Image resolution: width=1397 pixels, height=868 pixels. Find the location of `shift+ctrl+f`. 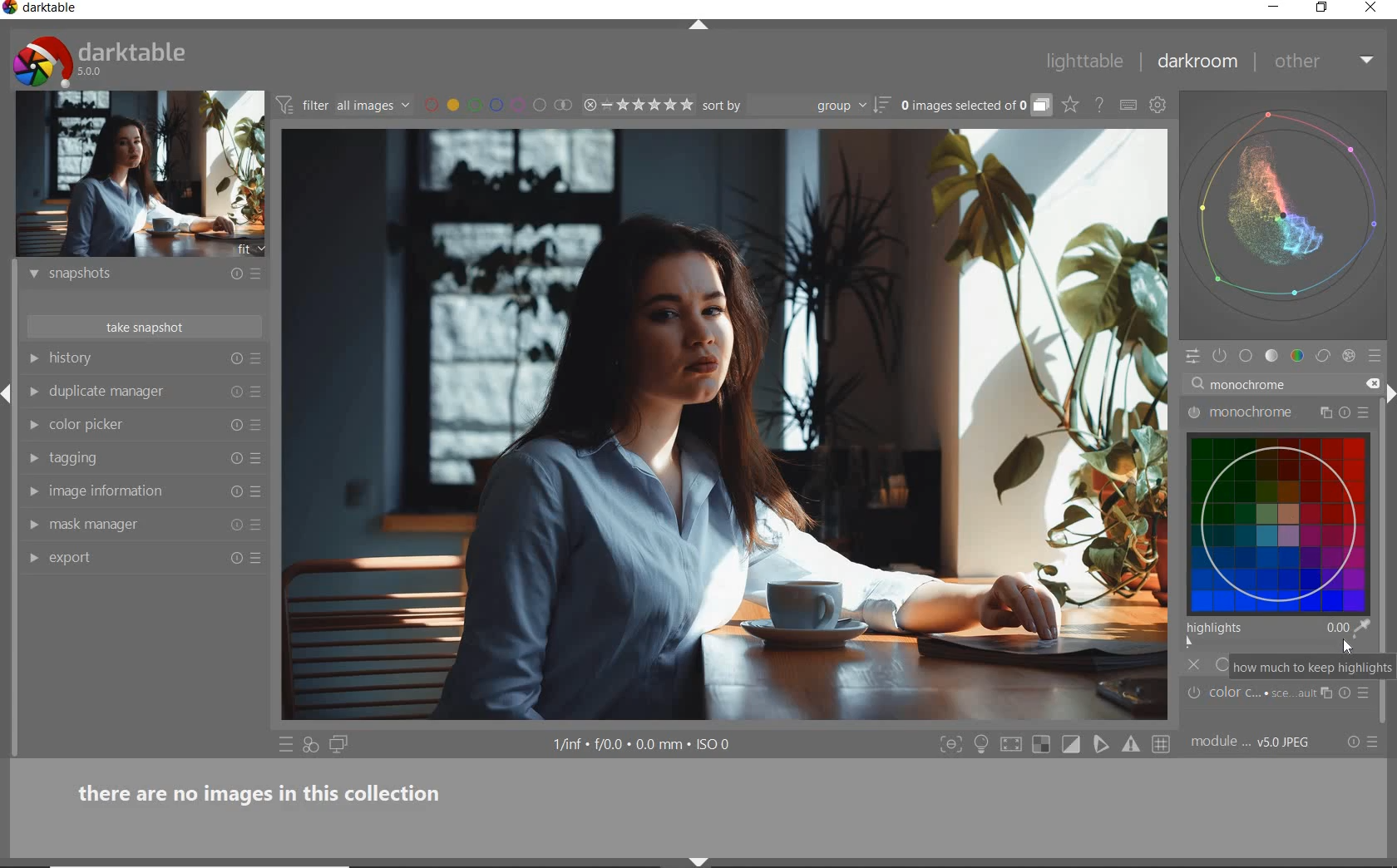

shift+ctrl+f is located at coordinates (951, 745).